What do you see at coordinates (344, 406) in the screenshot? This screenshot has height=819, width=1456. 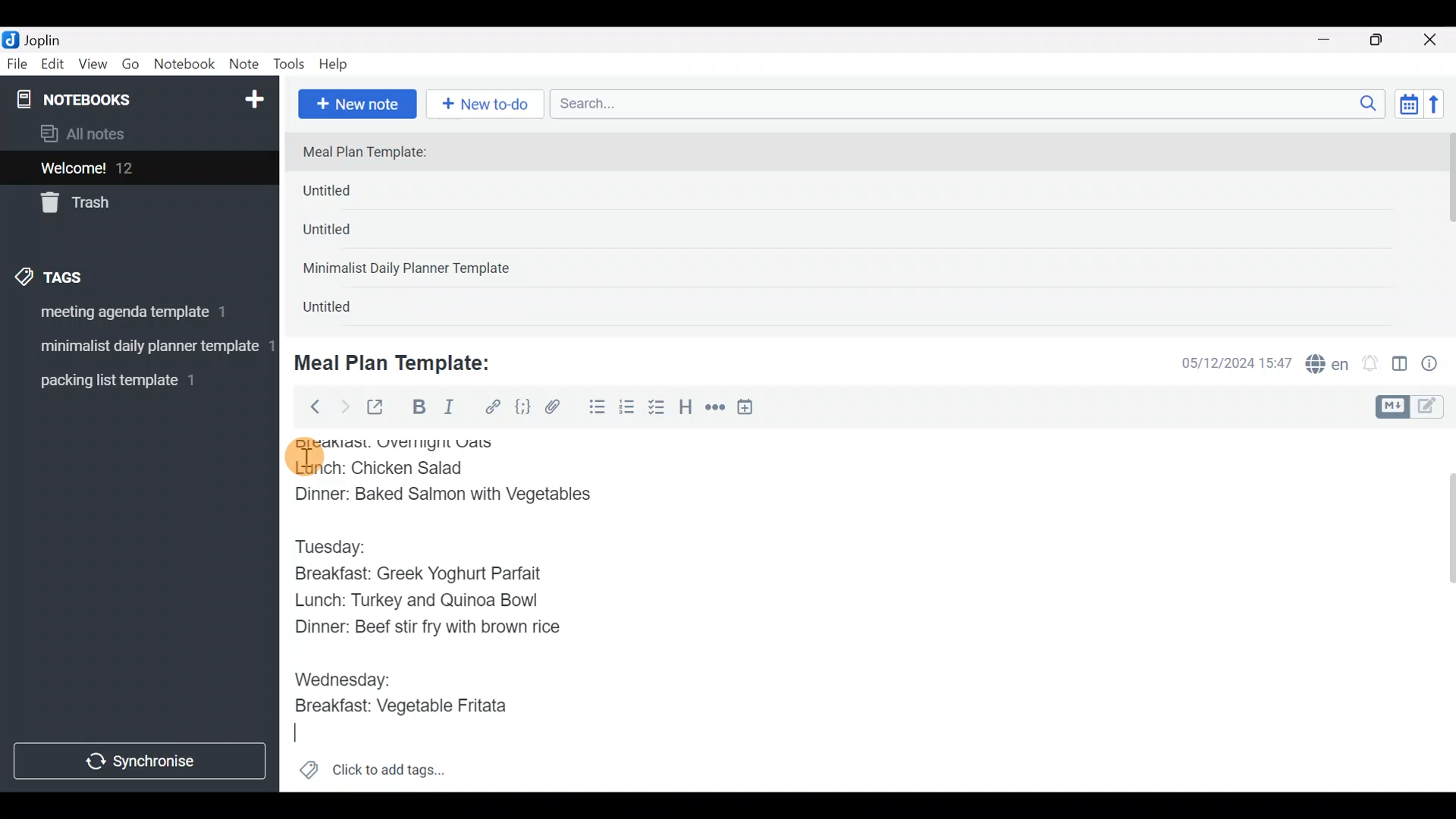 I see `Forward` at bounding box center [344, 406].